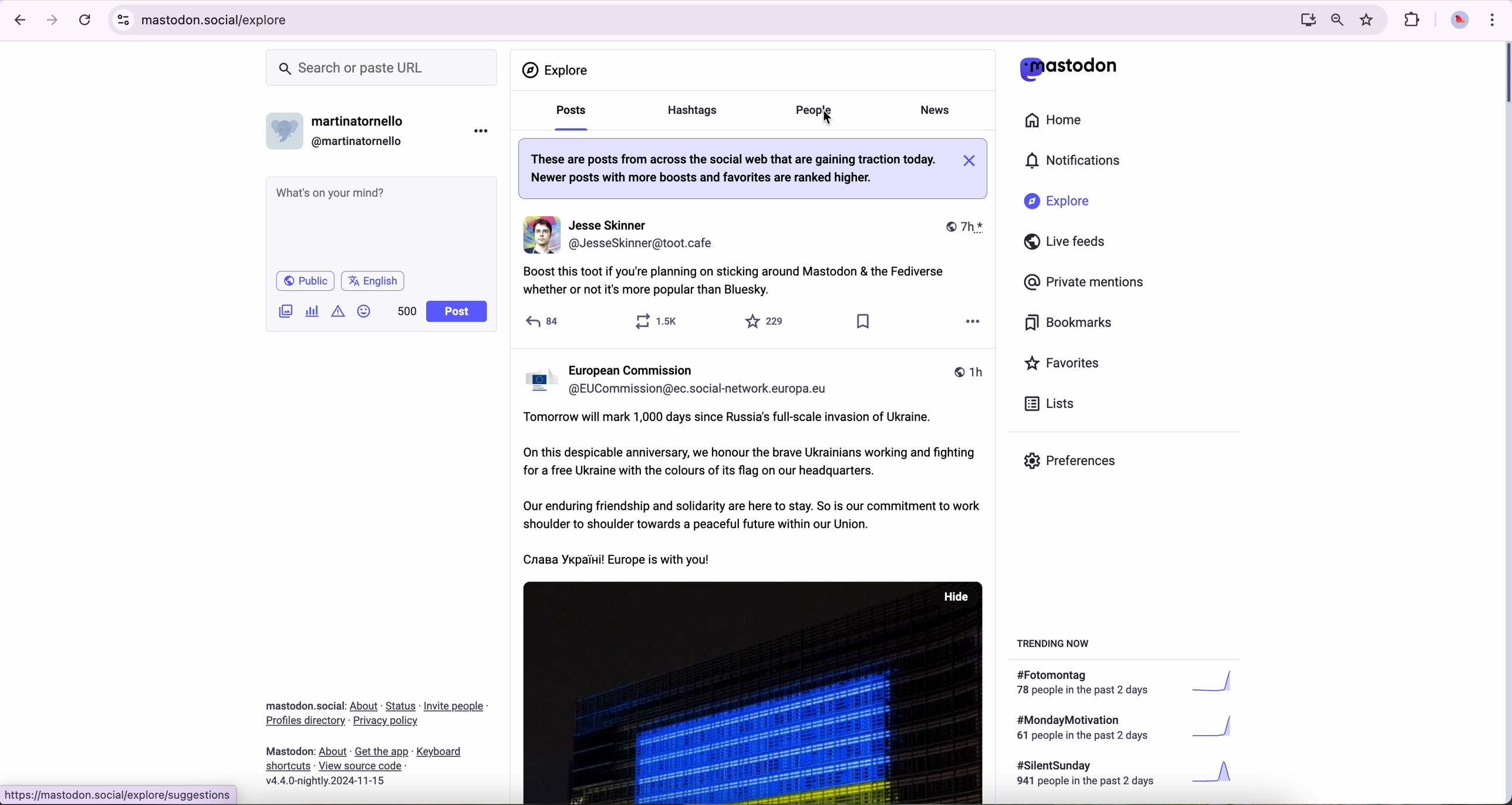 The image size is (1512, 805). Describe the element at coordinates (124, 20) in the screenshot. I see `controls` at that location.